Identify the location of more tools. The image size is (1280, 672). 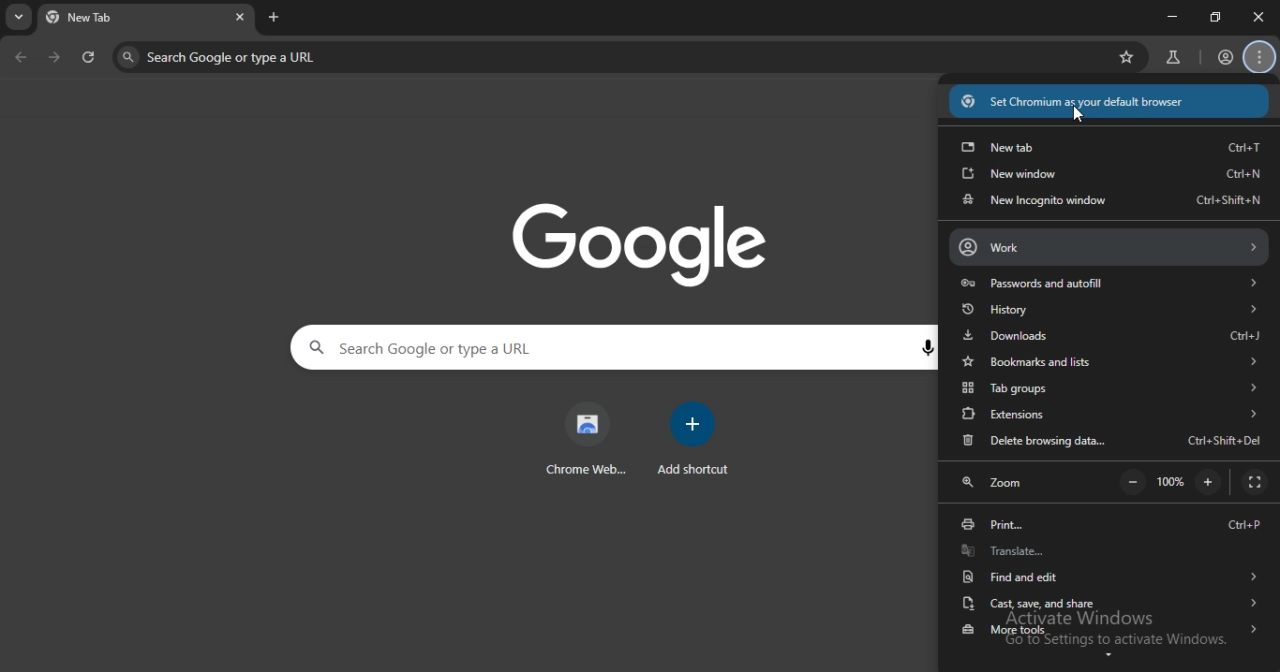
(1111, 632).